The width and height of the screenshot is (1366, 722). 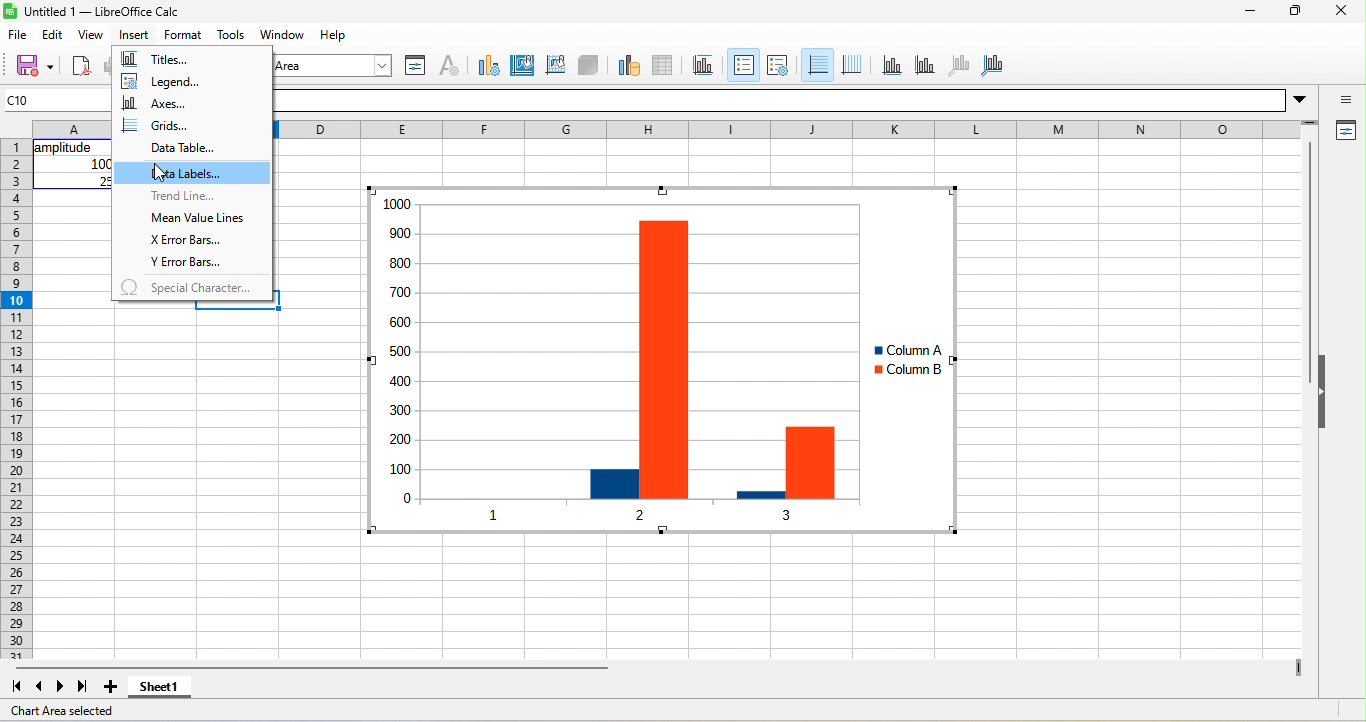 I want to click on chart area, so click(x=335, y=65).